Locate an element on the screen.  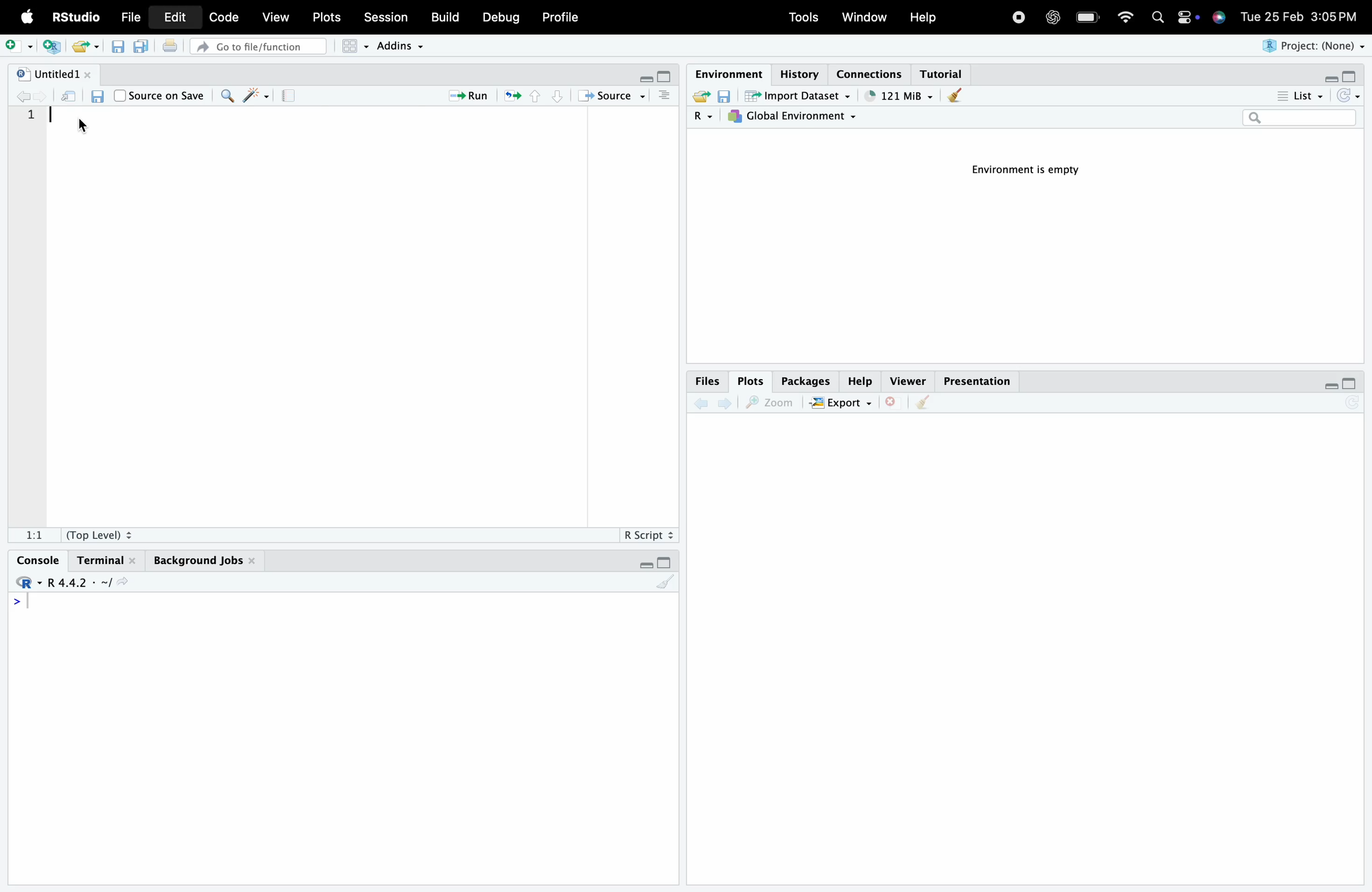
Addins is located at coordinates (401, 44).